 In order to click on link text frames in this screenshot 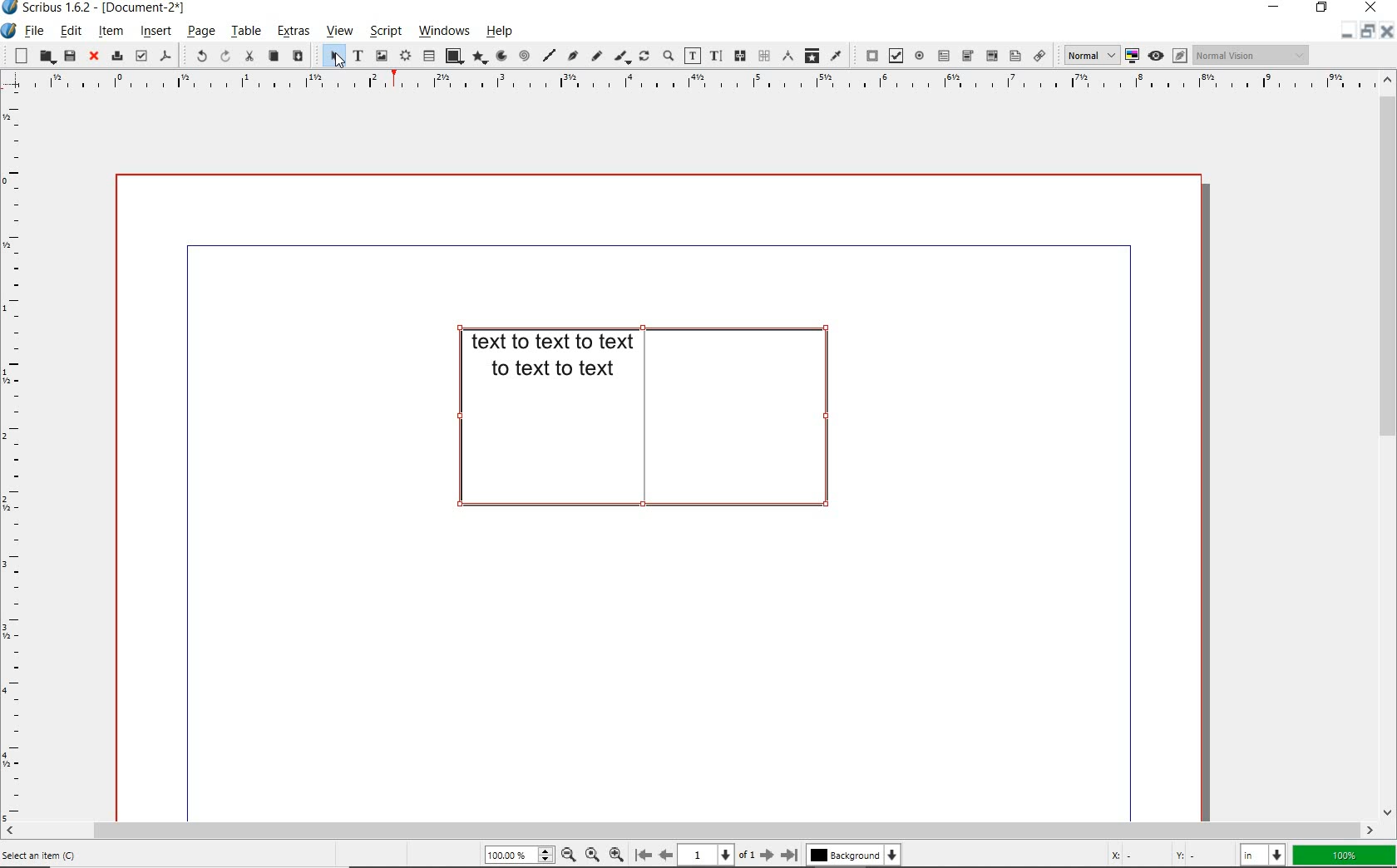, I will do `click(740, 57)`.